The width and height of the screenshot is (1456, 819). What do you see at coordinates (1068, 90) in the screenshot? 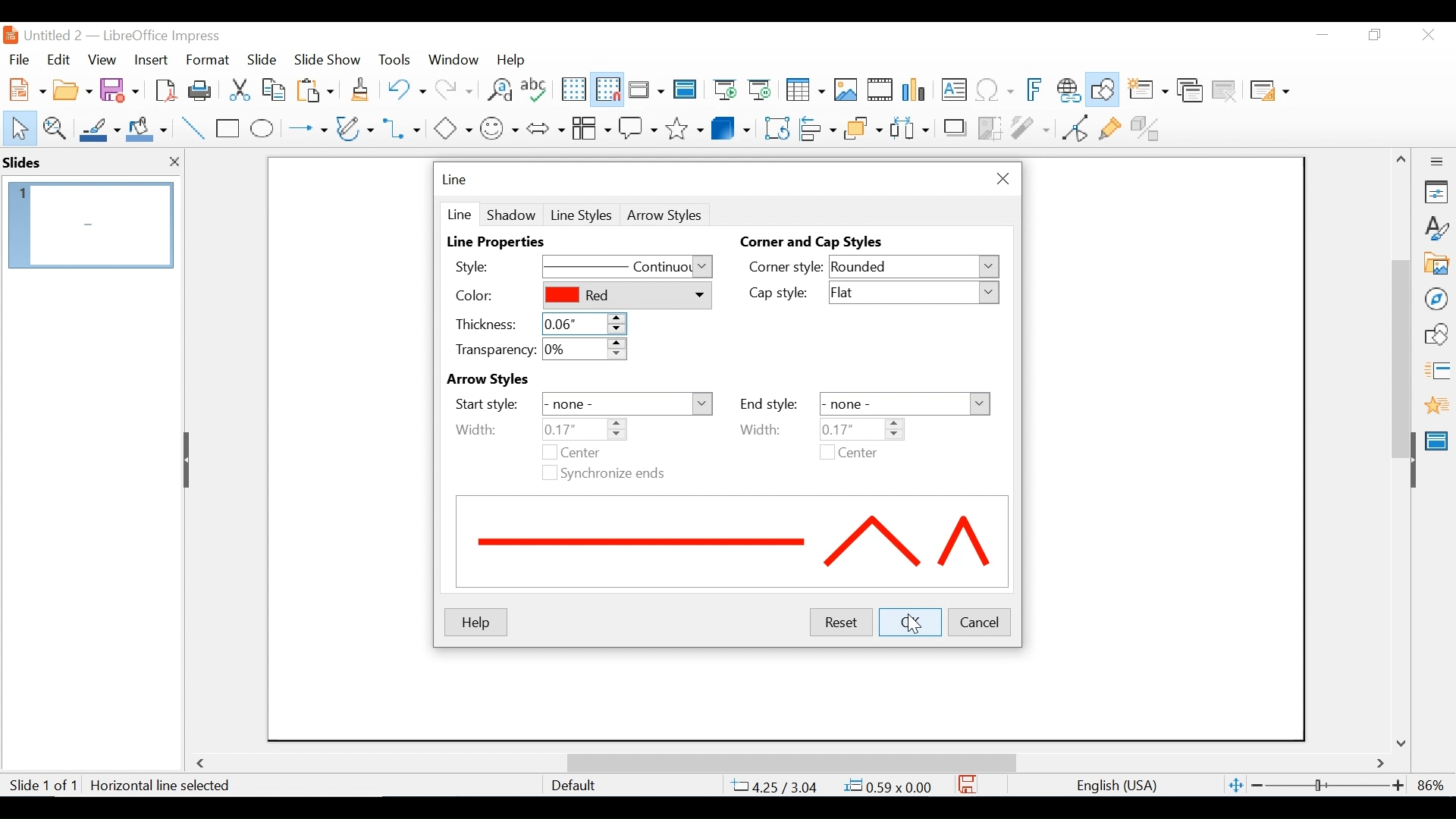
I see `Insert Hyperlink` at bounding box center [1068, 90].